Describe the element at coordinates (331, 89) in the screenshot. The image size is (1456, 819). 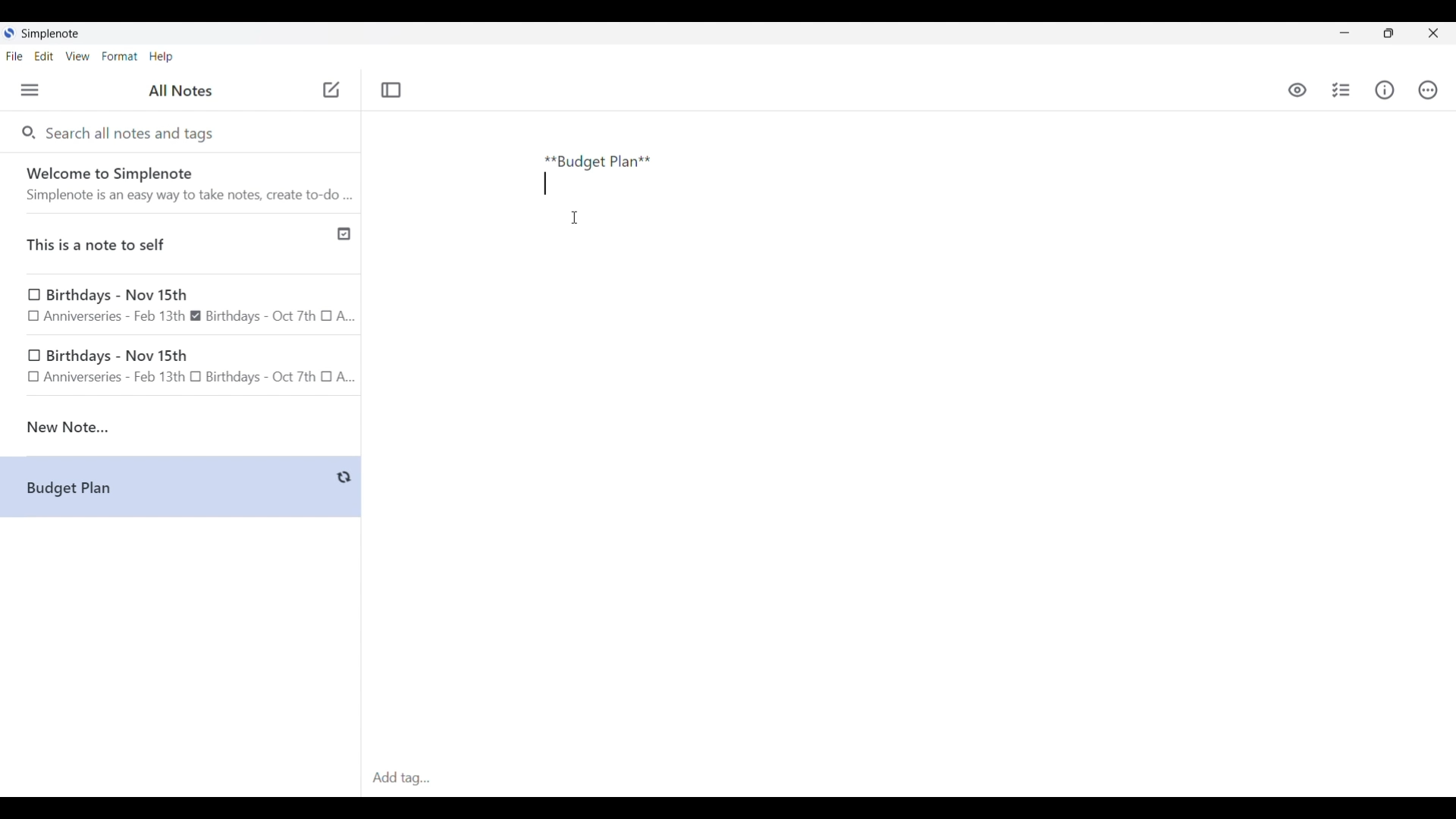
I see `Click to add new note` at that location.